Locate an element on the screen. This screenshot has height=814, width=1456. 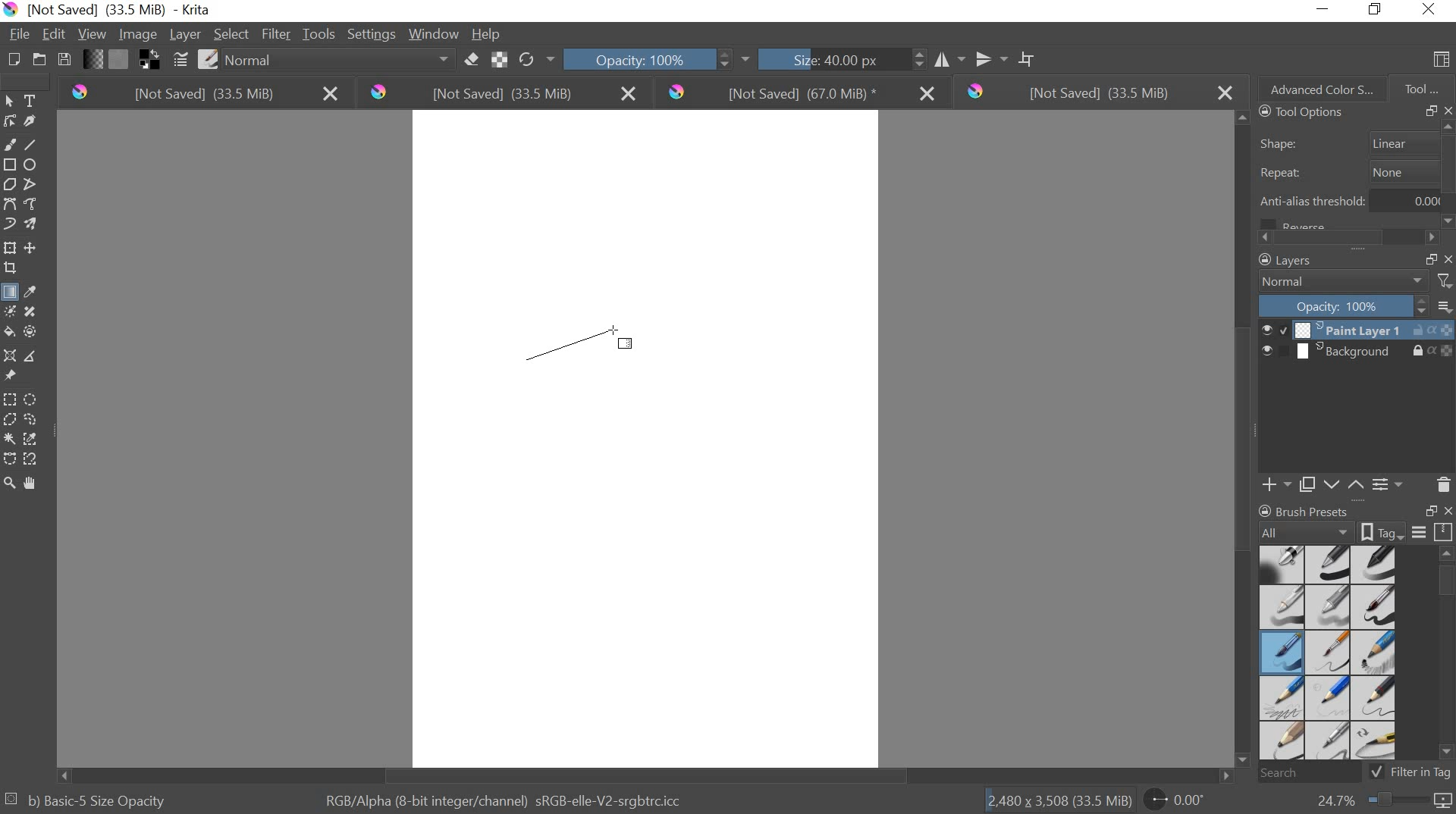
THUMBNAIL SIZE is located at coordinates (1446, 305).